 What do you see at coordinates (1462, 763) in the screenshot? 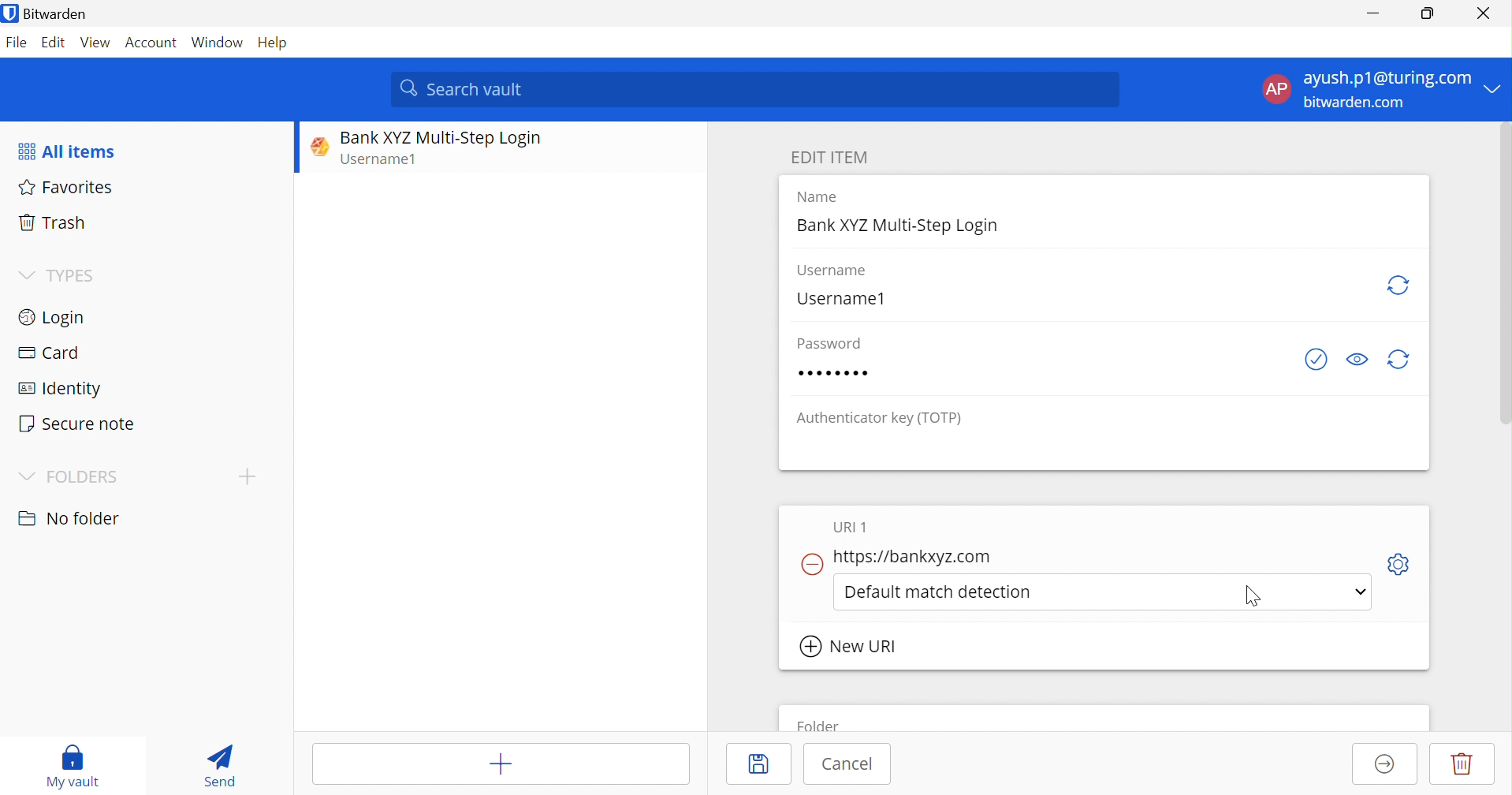
I see `Delete` at bounding box center [1462, 763].